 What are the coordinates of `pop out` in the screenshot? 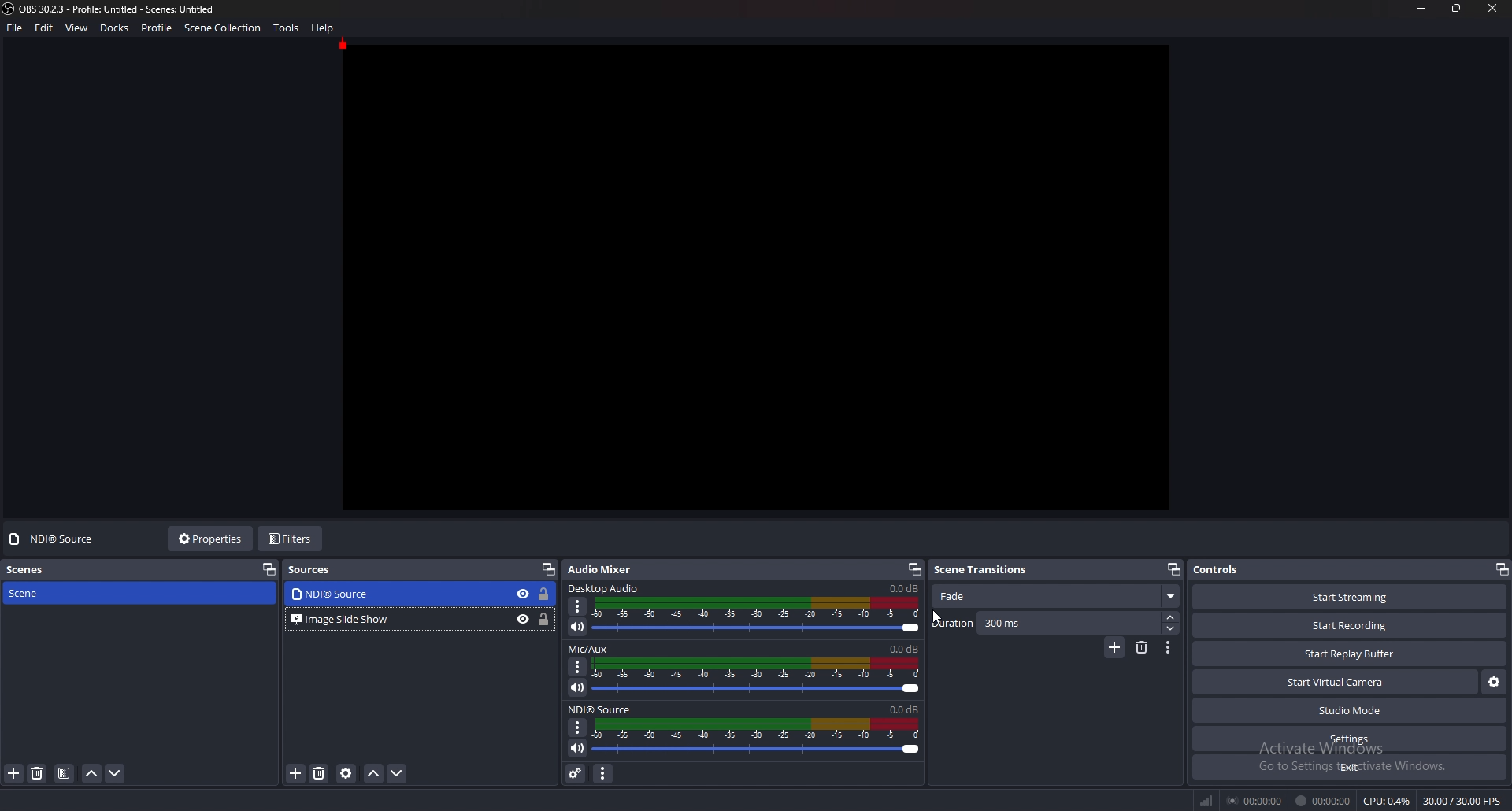 It's located at (914, 569).